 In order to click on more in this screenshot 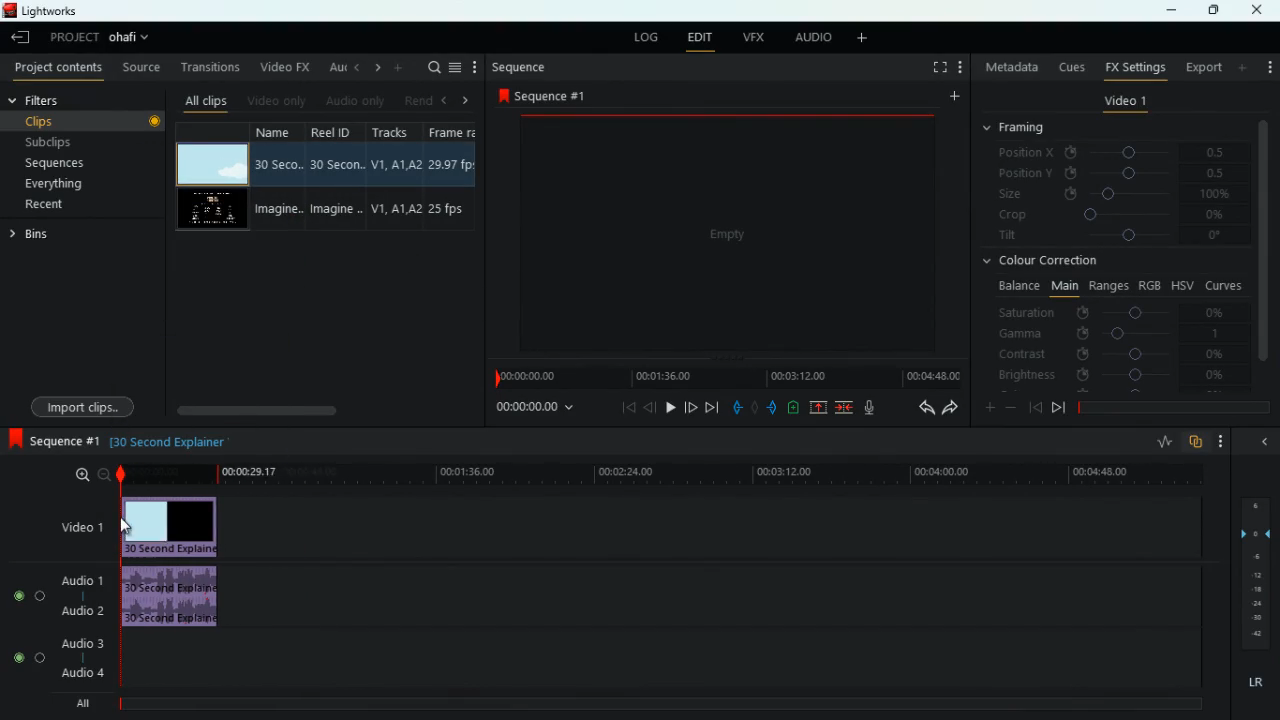, I will do `click(990, 406)`.